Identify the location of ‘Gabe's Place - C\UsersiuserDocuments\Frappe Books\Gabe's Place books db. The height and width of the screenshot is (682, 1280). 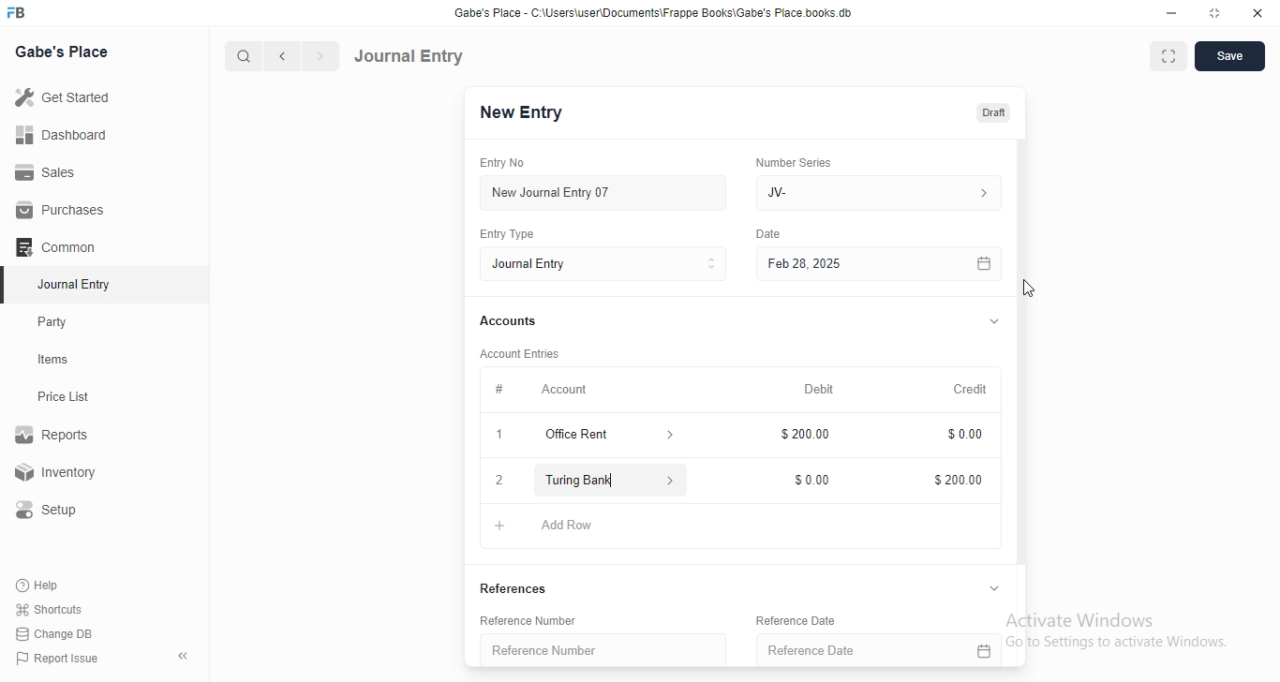
(669, 12).